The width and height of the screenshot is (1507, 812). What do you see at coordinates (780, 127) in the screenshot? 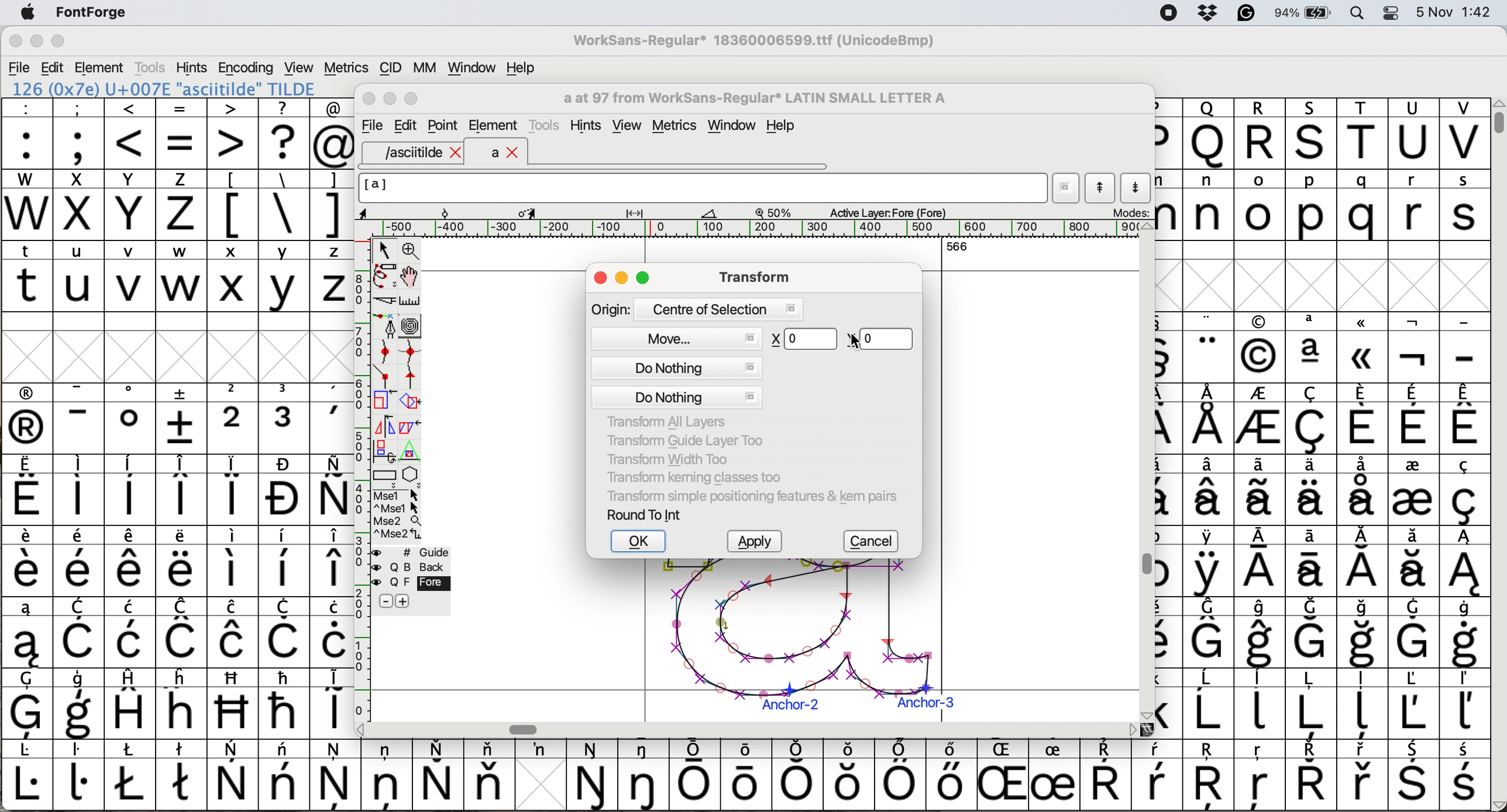
I see `Help` at bounding box center [780, 127].